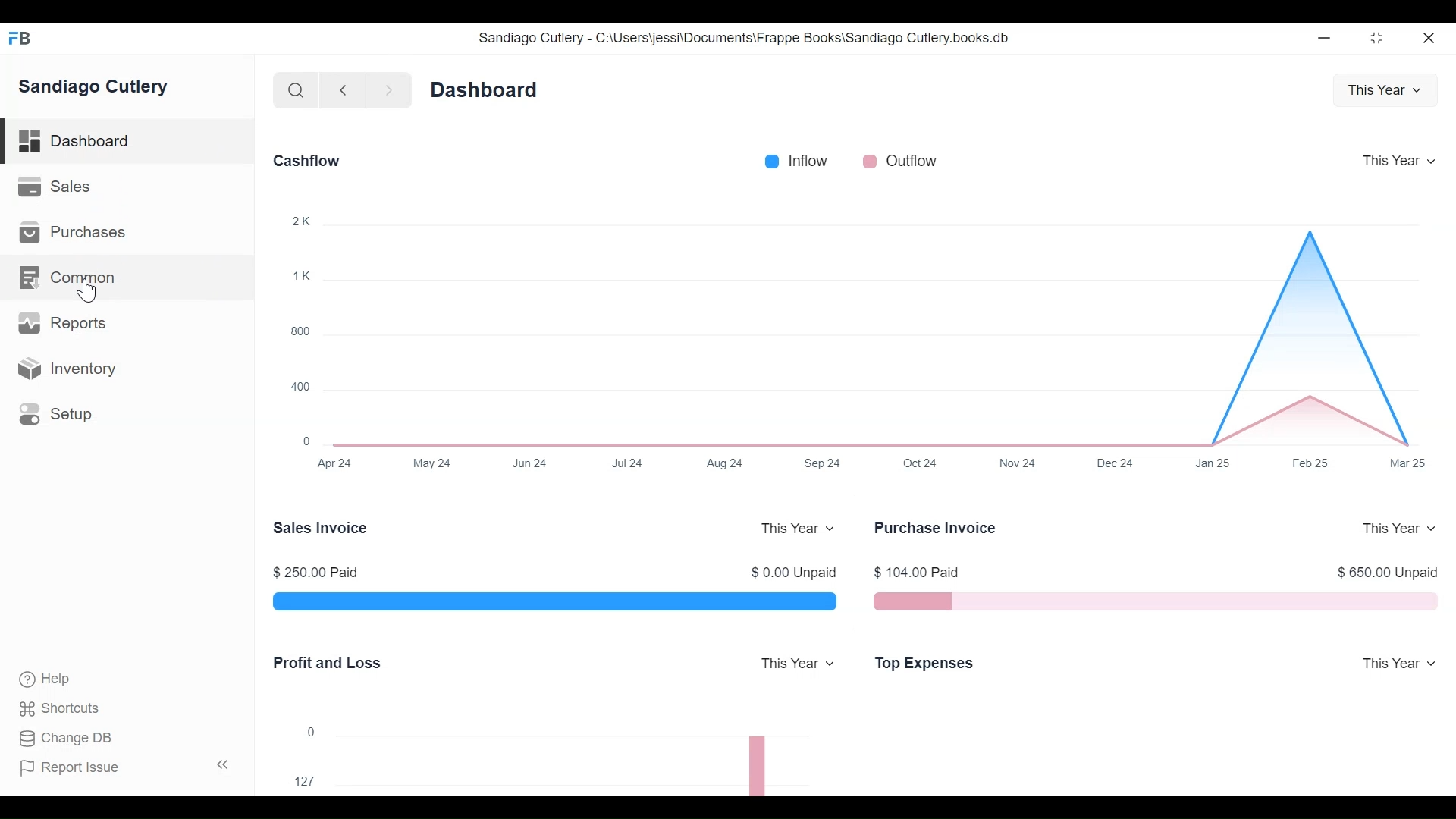 This screenshot has height=819, width=1456. What do you see at coordinates (220, 764) in the screenshot?
I see `collapse sidebar` at bounding box center [220, 764].